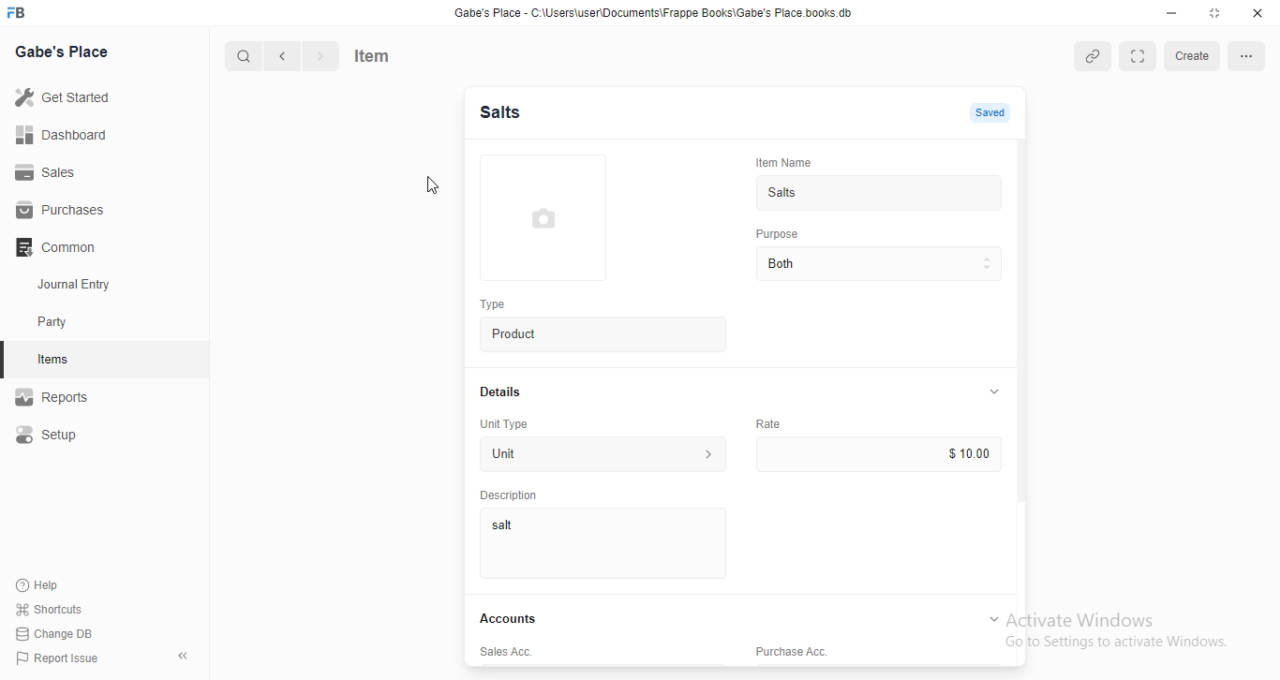 The height and width of the screenshot is (680, 1280). I want to click on Accounts, so click(516, 620).